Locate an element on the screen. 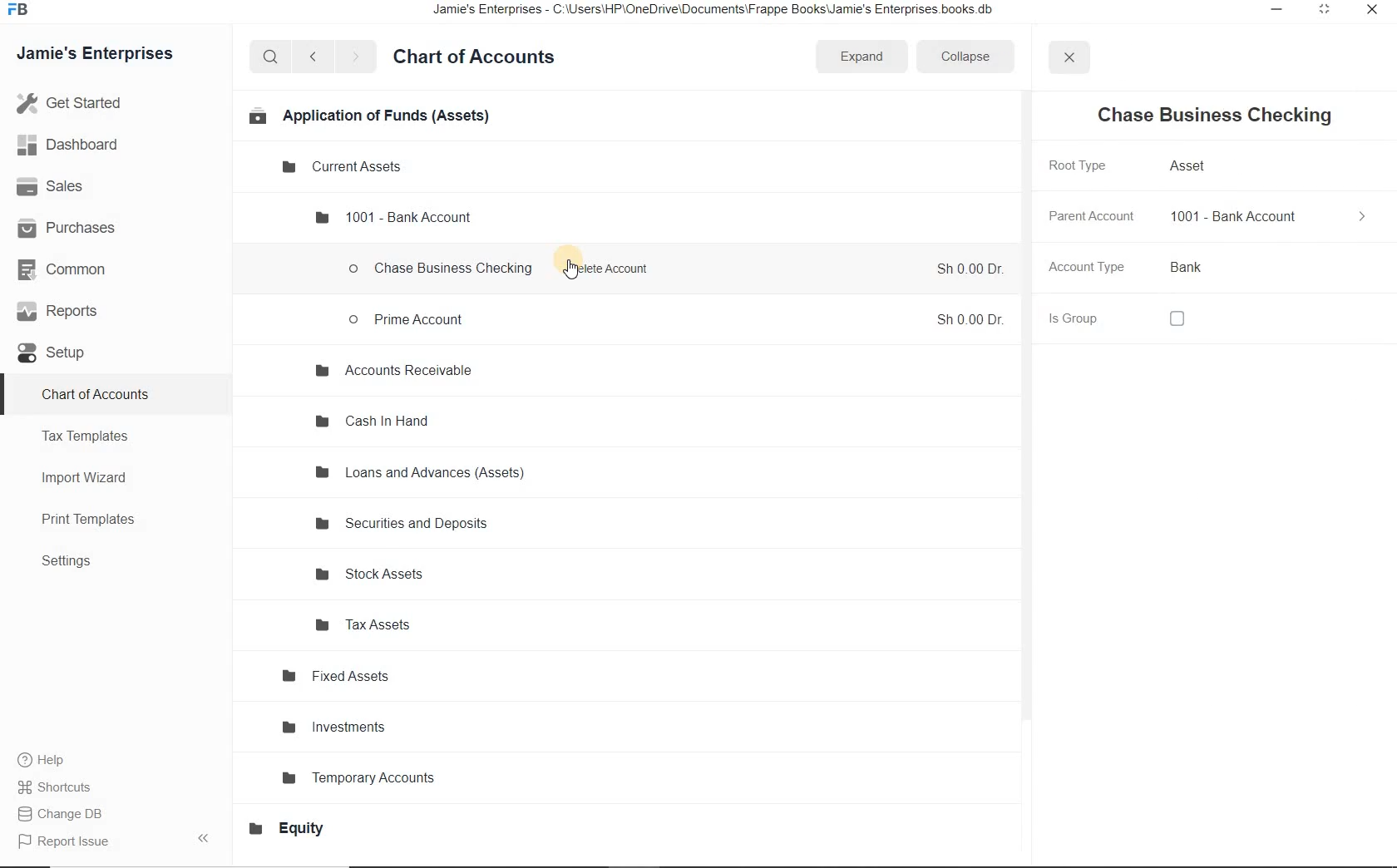 Image resolution: width=1397 pixels, height=868 pixels. forward is located at coordinates (357, 57).